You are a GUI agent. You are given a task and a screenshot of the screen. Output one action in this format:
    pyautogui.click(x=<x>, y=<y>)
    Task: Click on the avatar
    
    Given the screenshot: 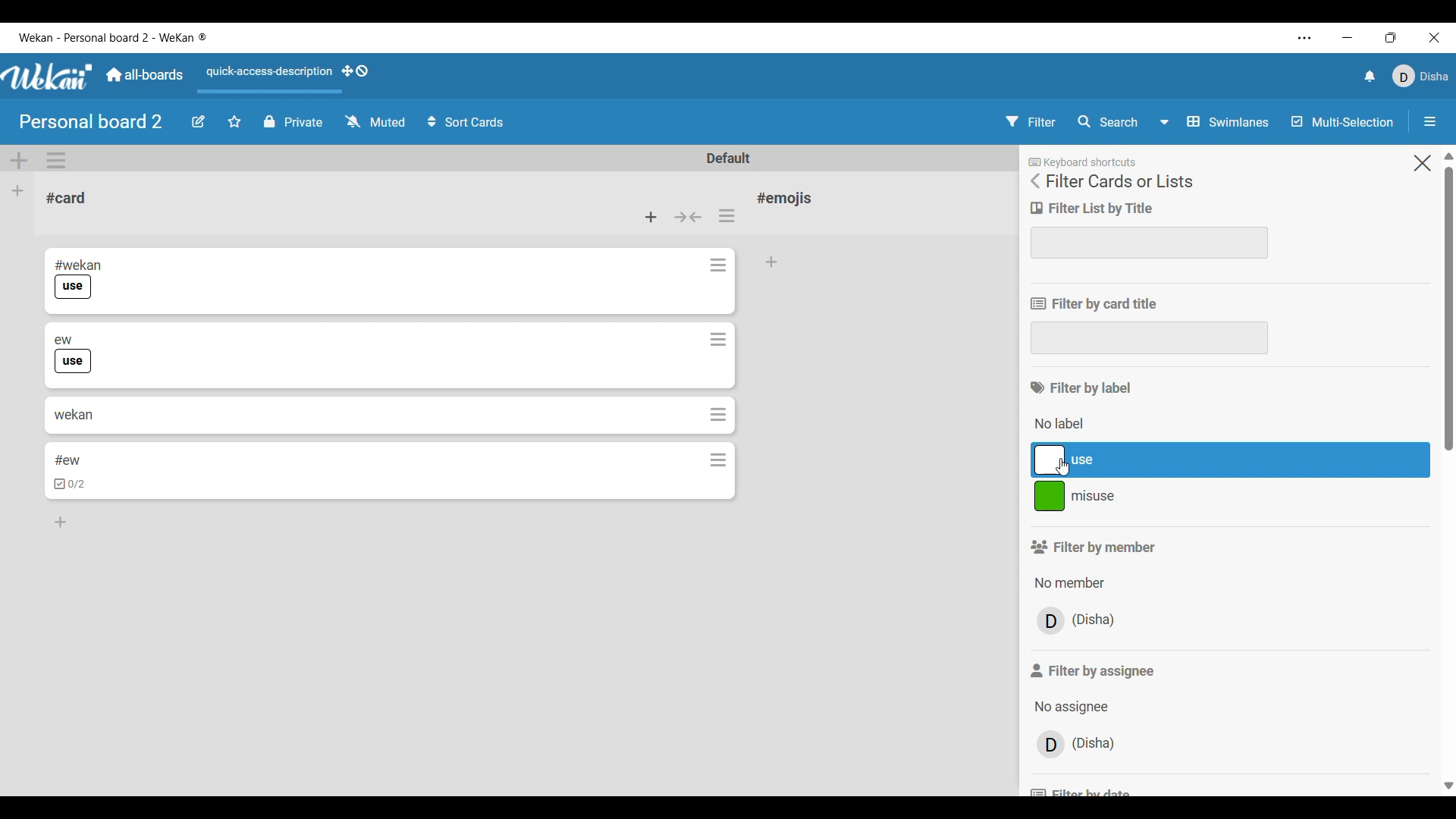 What is the action you would take?
    pyautogui.click(x=1050, y=745)
    